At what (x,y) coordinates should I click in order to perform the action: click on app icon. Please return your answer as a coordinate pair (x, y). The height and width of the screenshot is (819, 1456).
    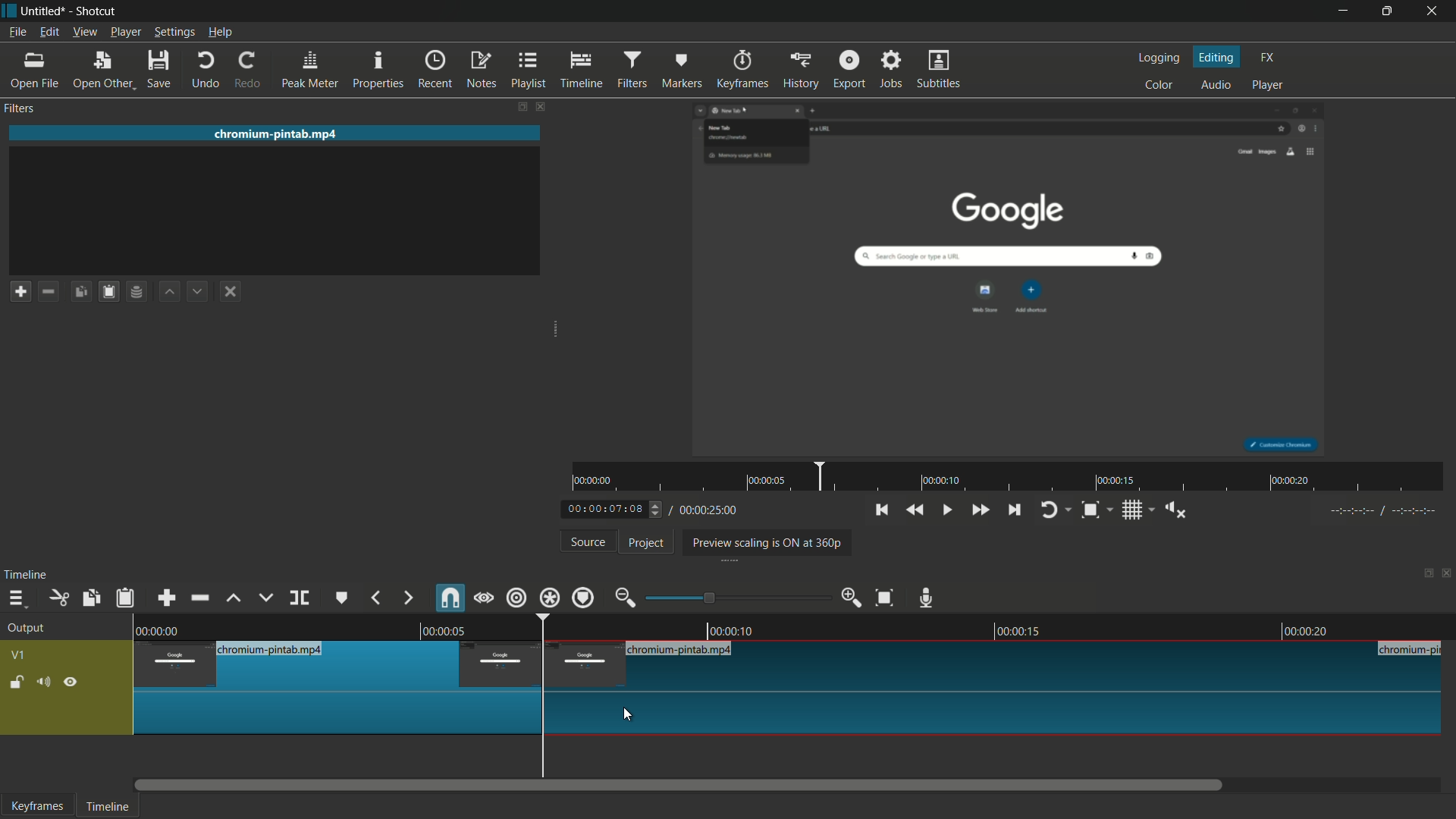
    Looking at the image, I should click on (9, 10).